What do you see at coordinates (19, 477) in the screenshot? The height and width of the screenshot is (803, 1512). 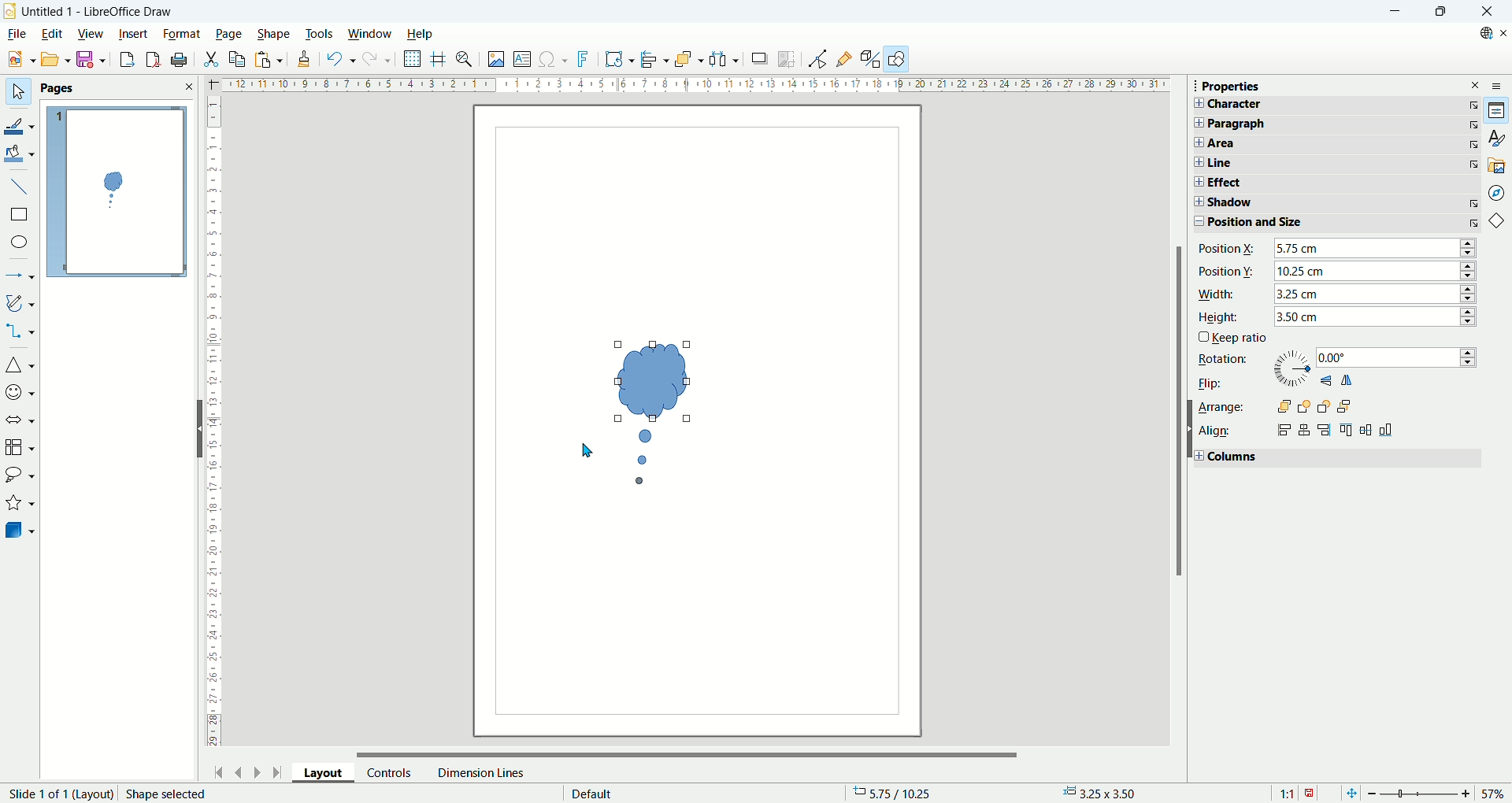 I see `callout shapes` at bounding box center [19, 477].